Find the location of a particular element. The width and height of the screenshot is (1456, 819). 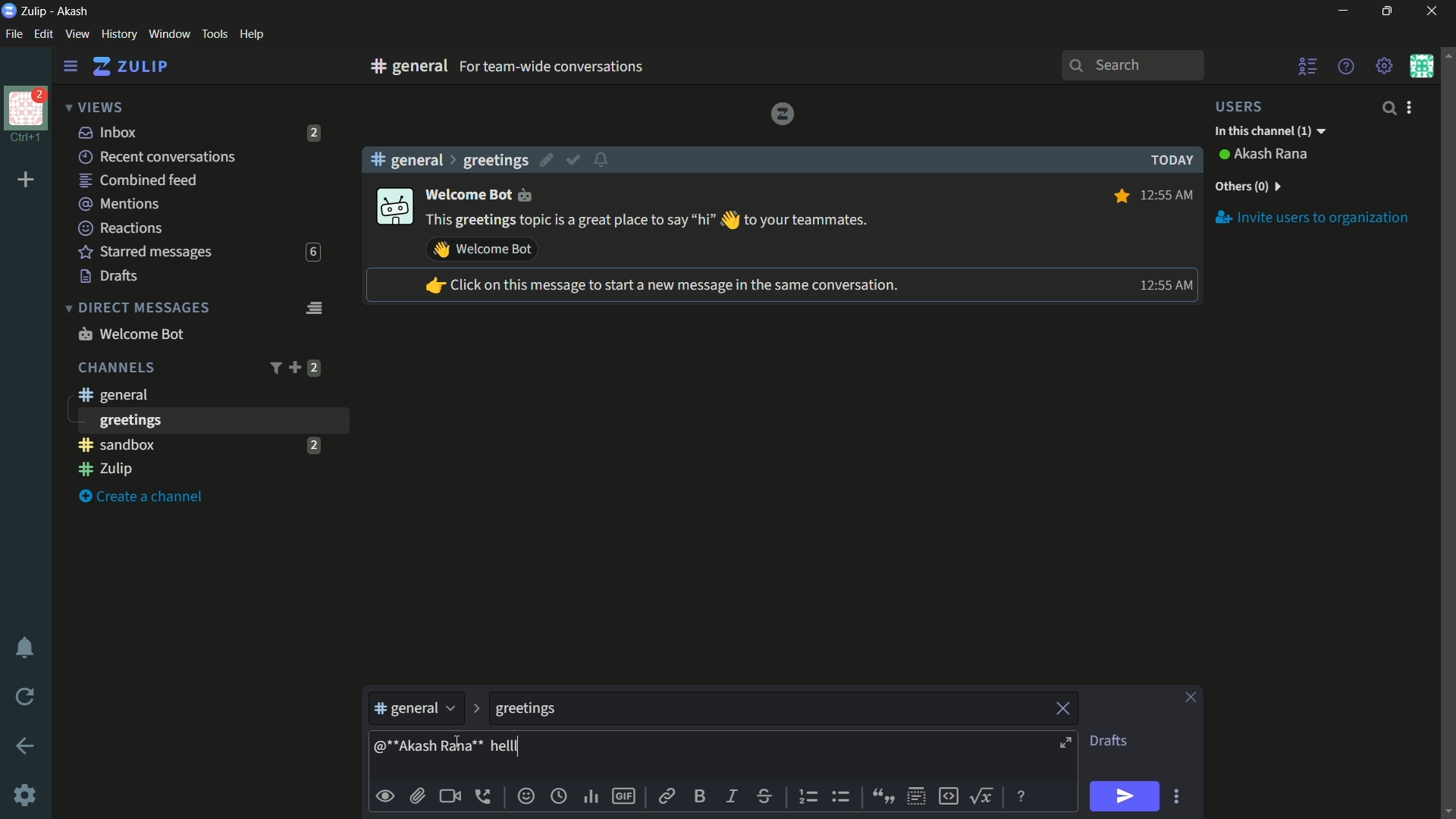

view menu is located at coordinates (77, 33).